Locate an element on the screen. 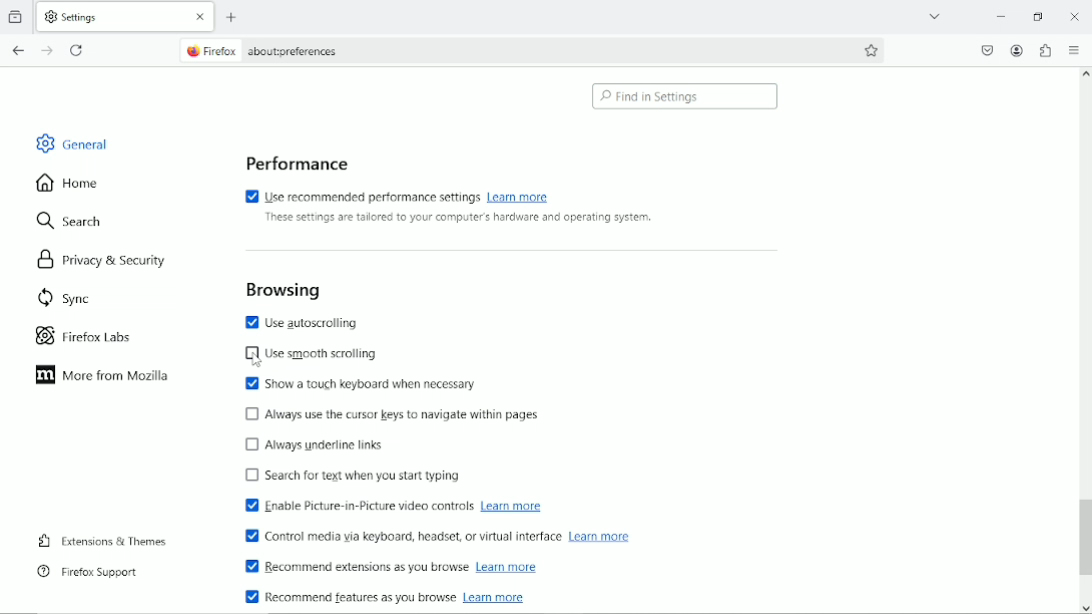 The height and width of the screenshot is (614, 1092). Learn more is located at coordinates (513, 506).